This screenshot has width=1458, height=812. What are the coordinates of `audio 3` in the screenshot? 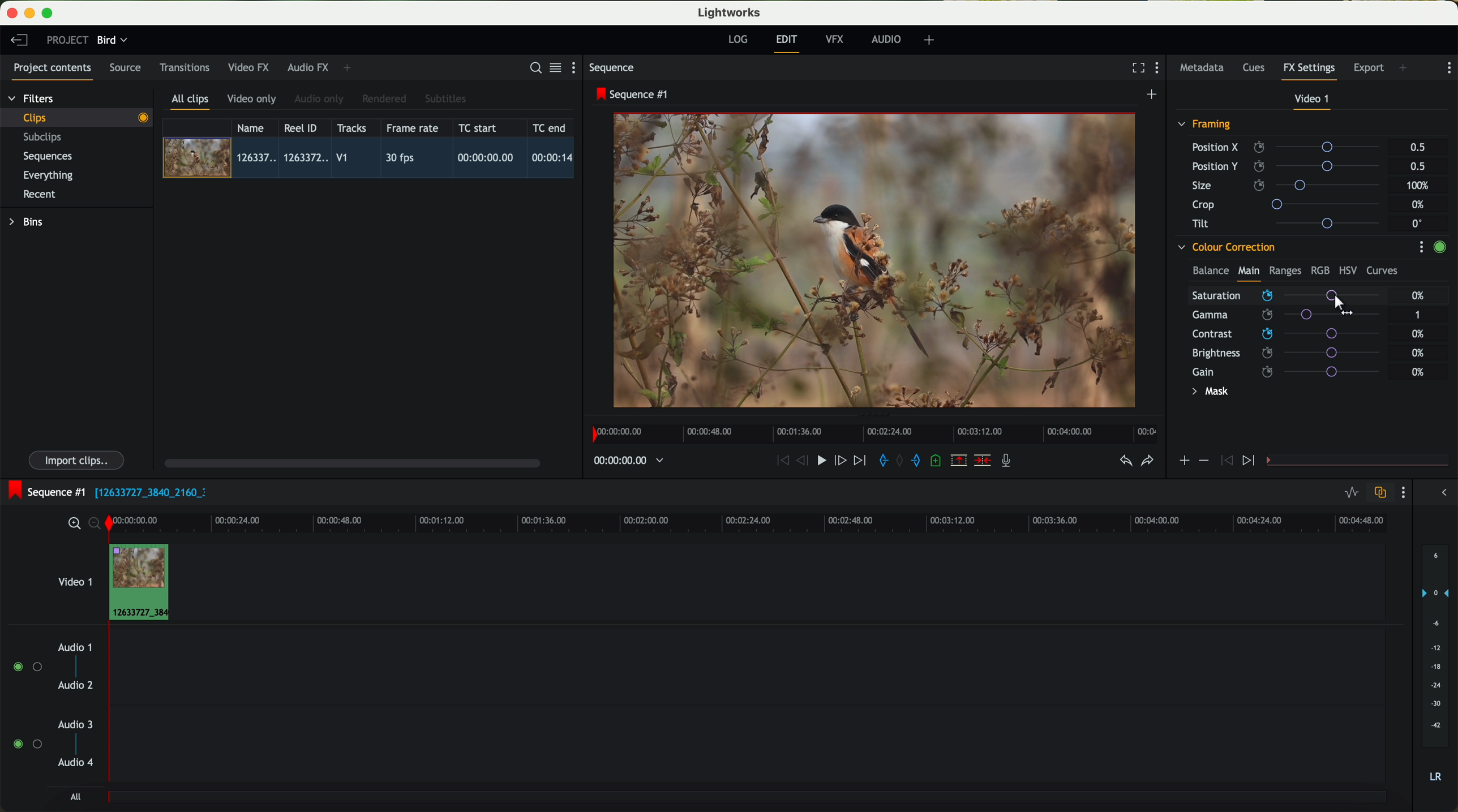 It's located at (70, 724).